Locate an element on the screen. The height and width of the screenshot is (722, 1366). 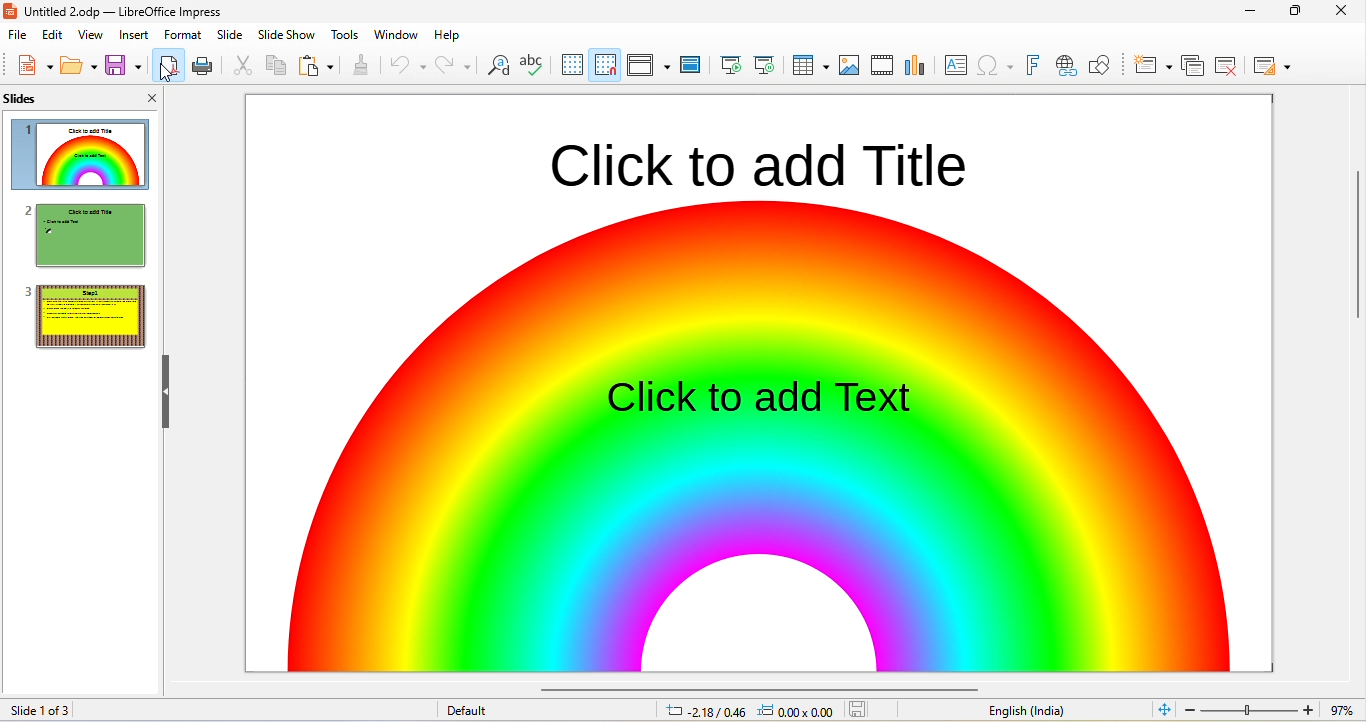
clone is located at coordinates (361, 64).